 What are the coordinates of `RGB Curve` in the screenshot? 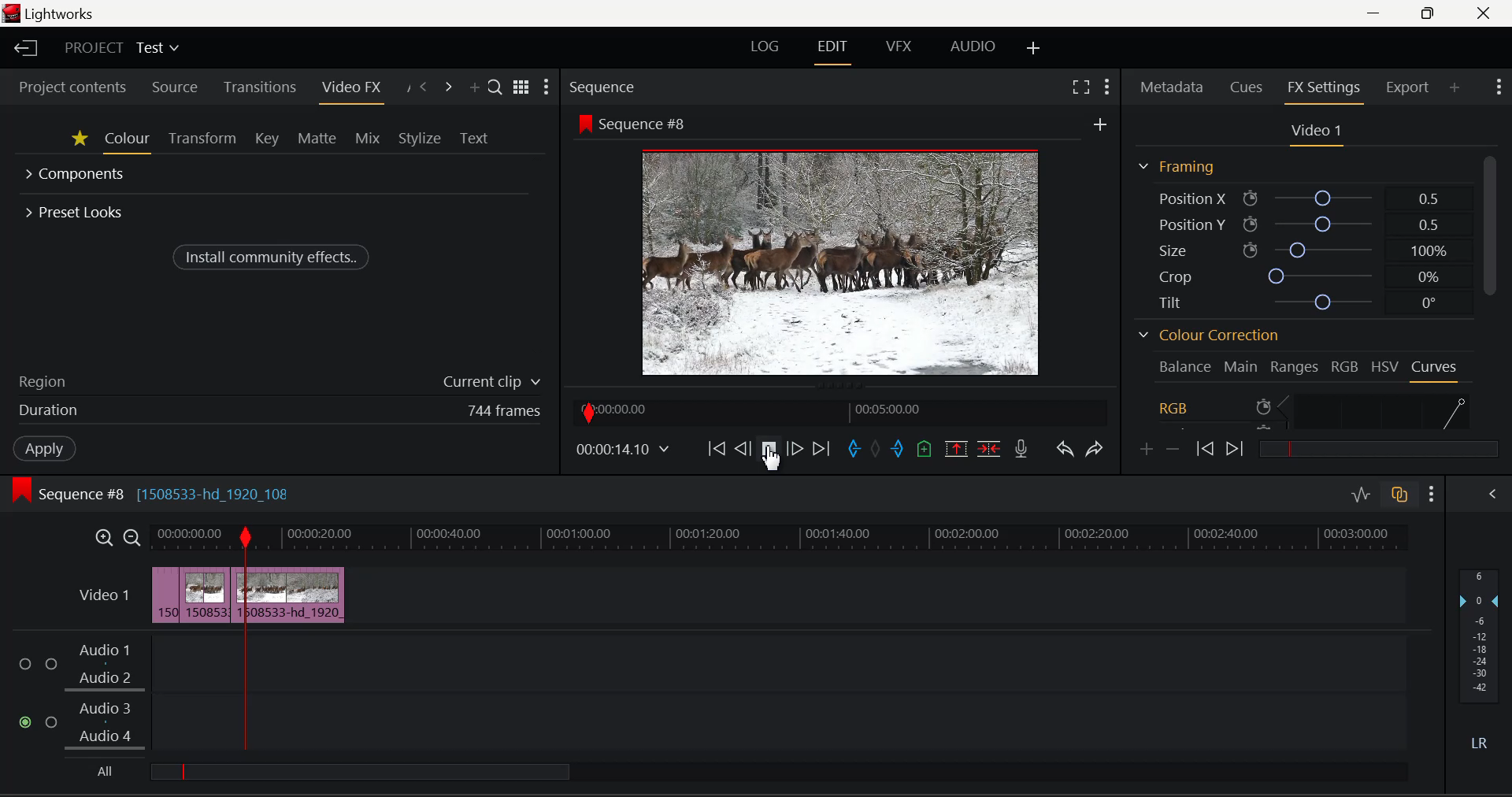 It's located at (1314, 410).